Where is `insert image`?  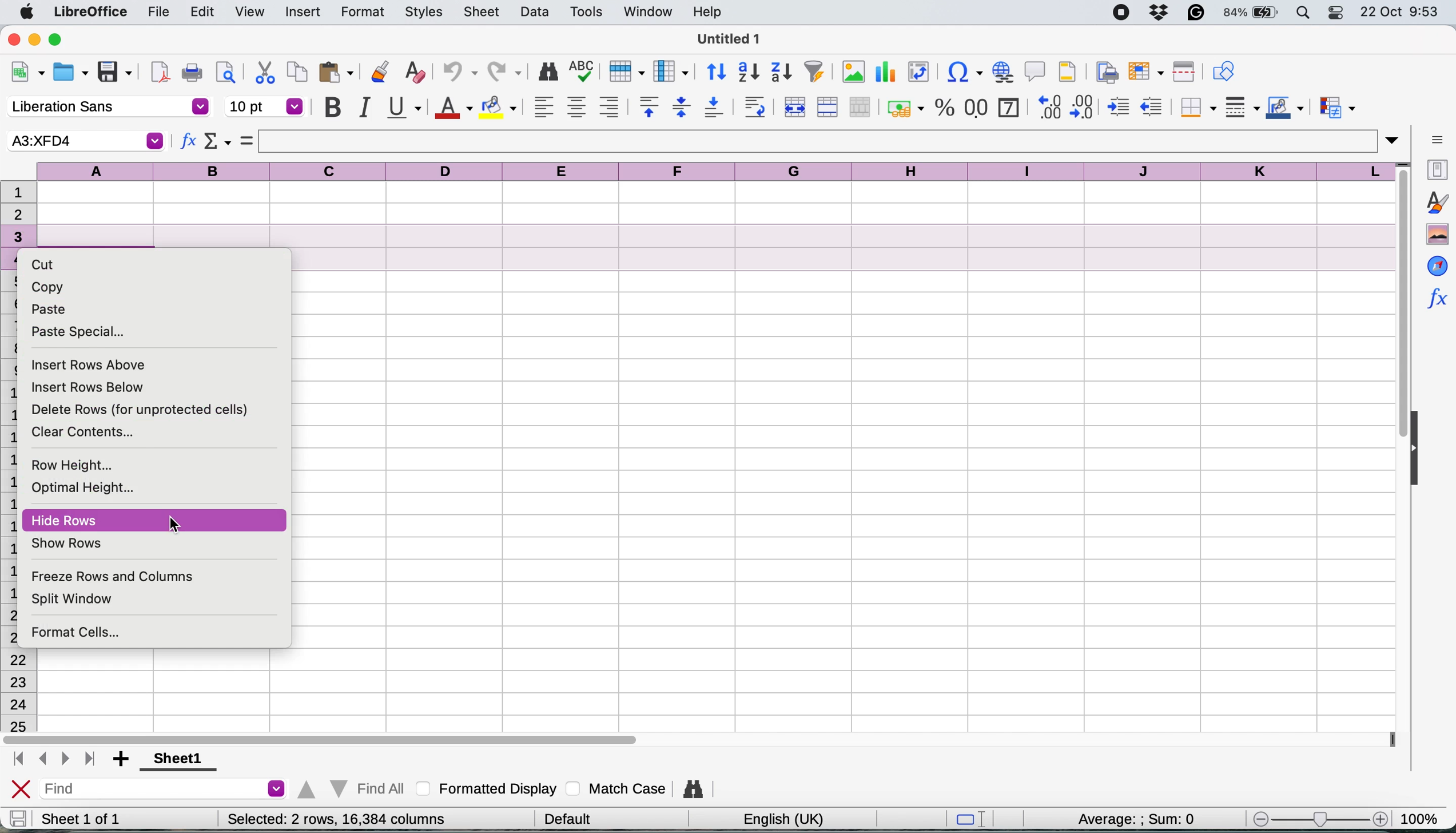 insert image is located at coordinates (853, 72).